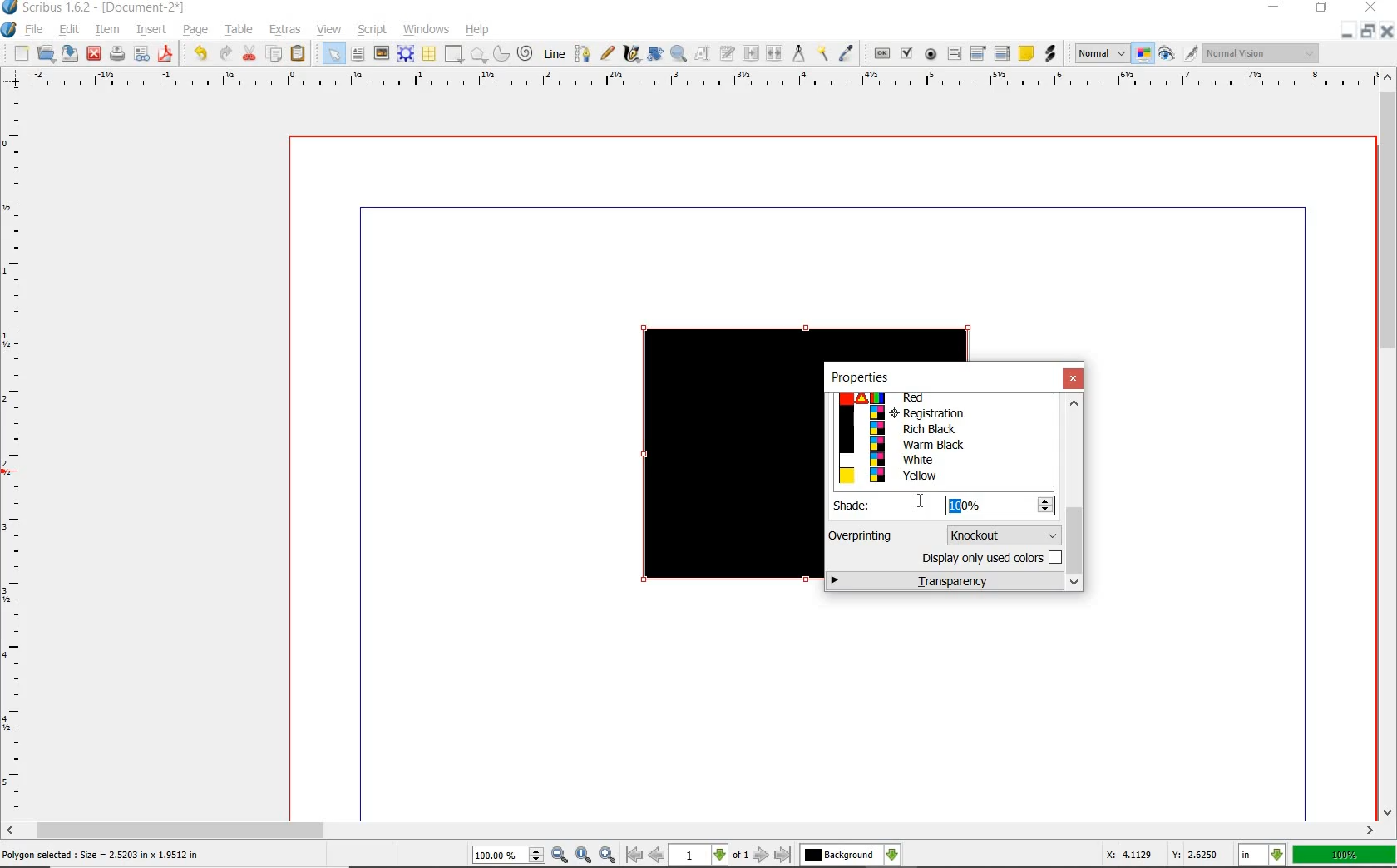 This screenshot has width=1397, height=868. What do you see at coordinates (200, 55) in the screenshot?
I see `undo` at bounding box center [200, 55].